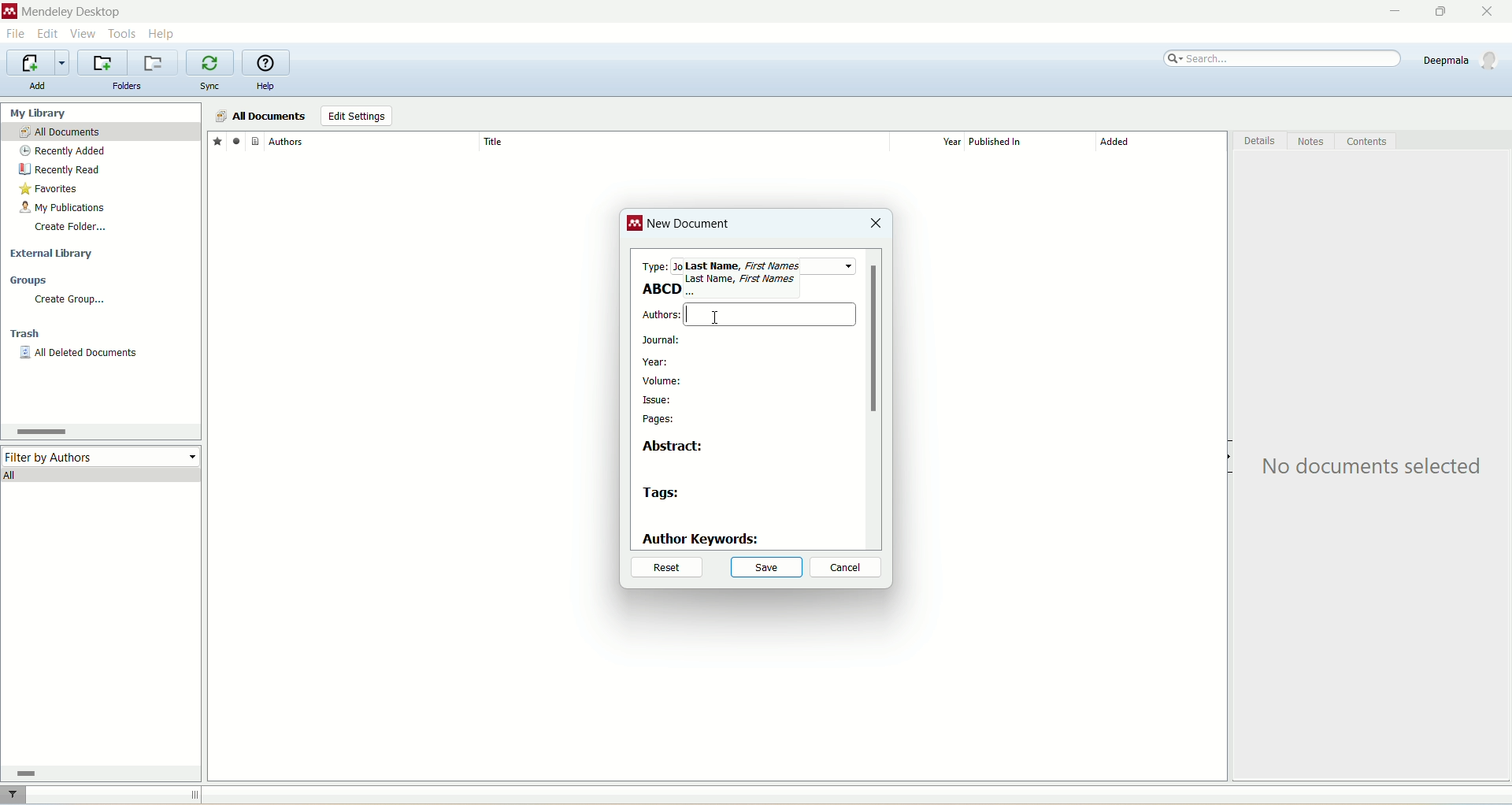 The height and width of the screenshot is (805, 1512). What do you see at coordinates (63, 151) in the screenshot?
I see `recently added` at bounding box center [63, 151].